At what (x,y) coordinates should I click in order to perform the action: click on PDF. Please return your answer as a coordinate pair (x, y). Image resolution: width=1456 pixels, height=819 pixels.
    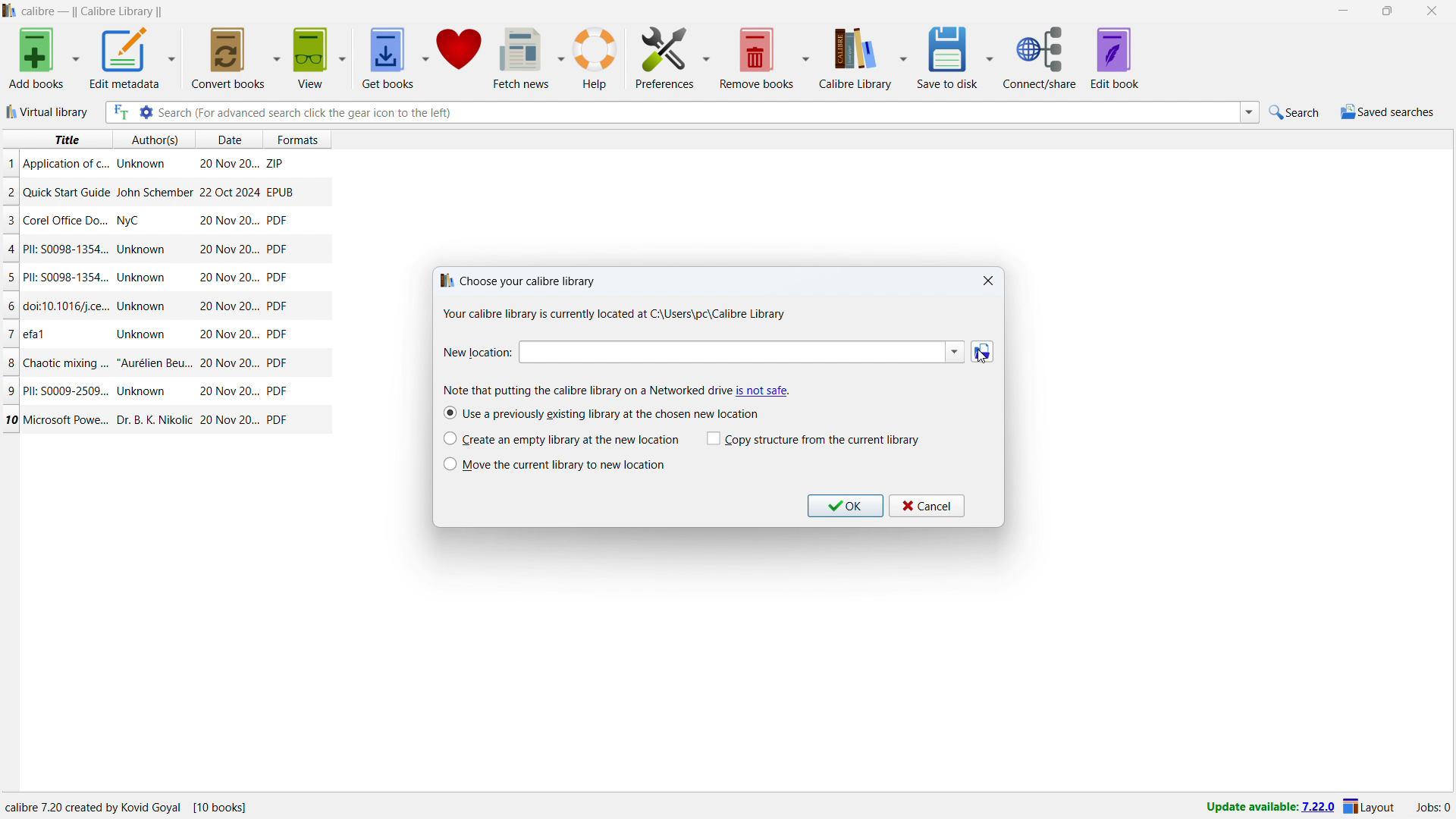
    Looking at the image, I should click on (278, 248).